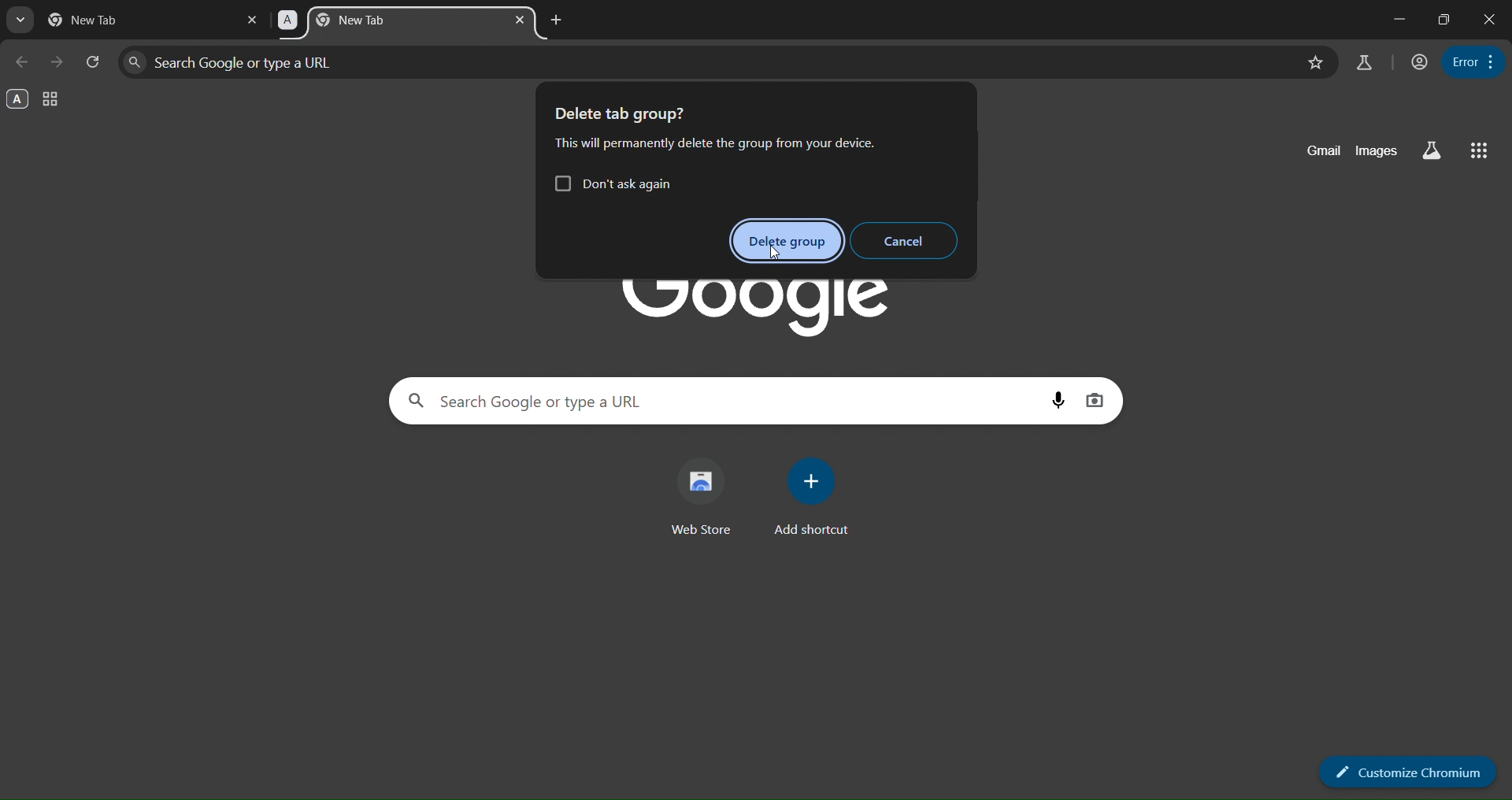 The image size is (1512, 800). Describe the element at coordinates (613, 183) in the screenshot. I see `Don't ask again` at that location.